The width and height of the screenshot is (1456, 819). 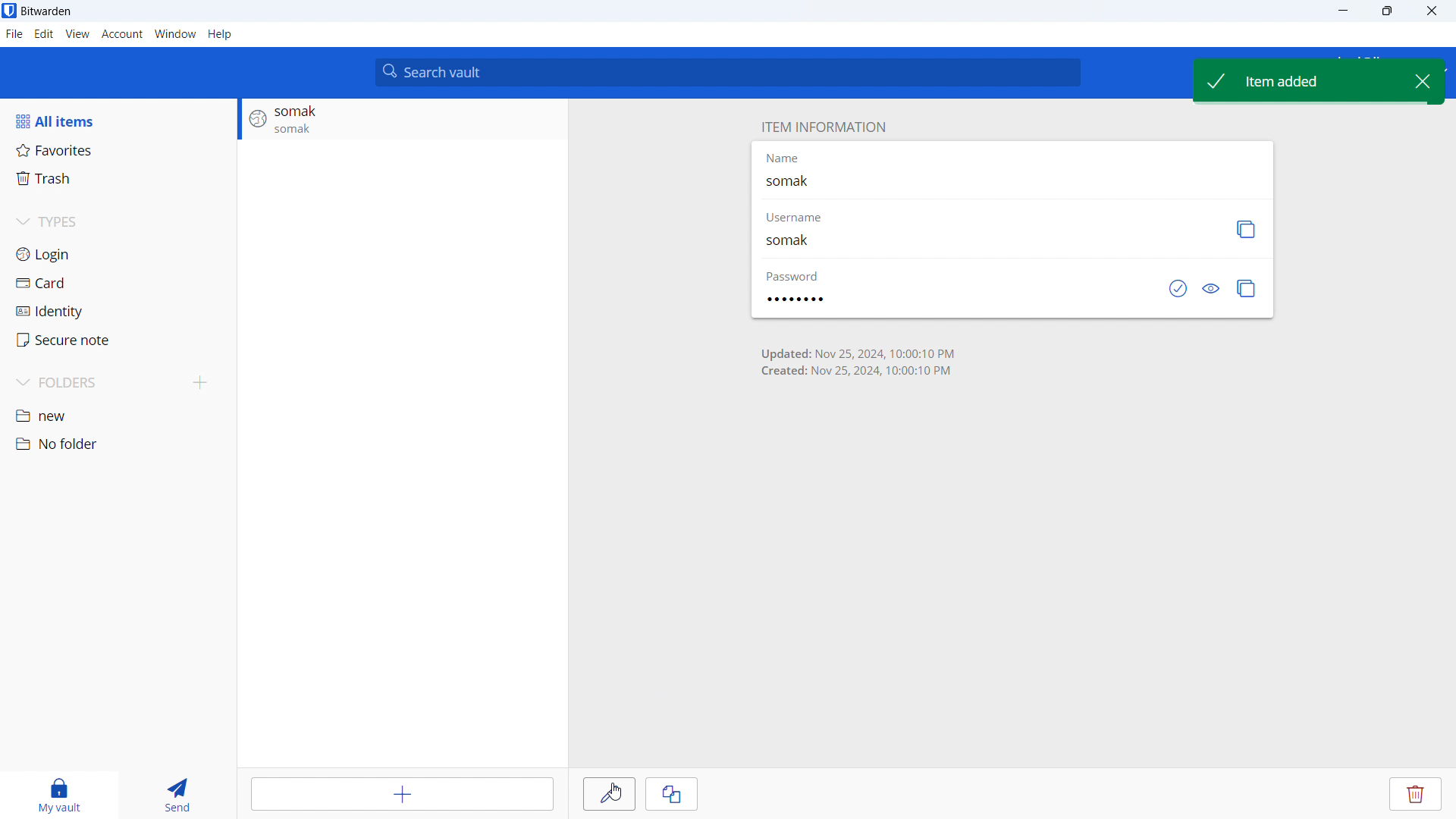 I want to click on password, so click(x=793, y=277).